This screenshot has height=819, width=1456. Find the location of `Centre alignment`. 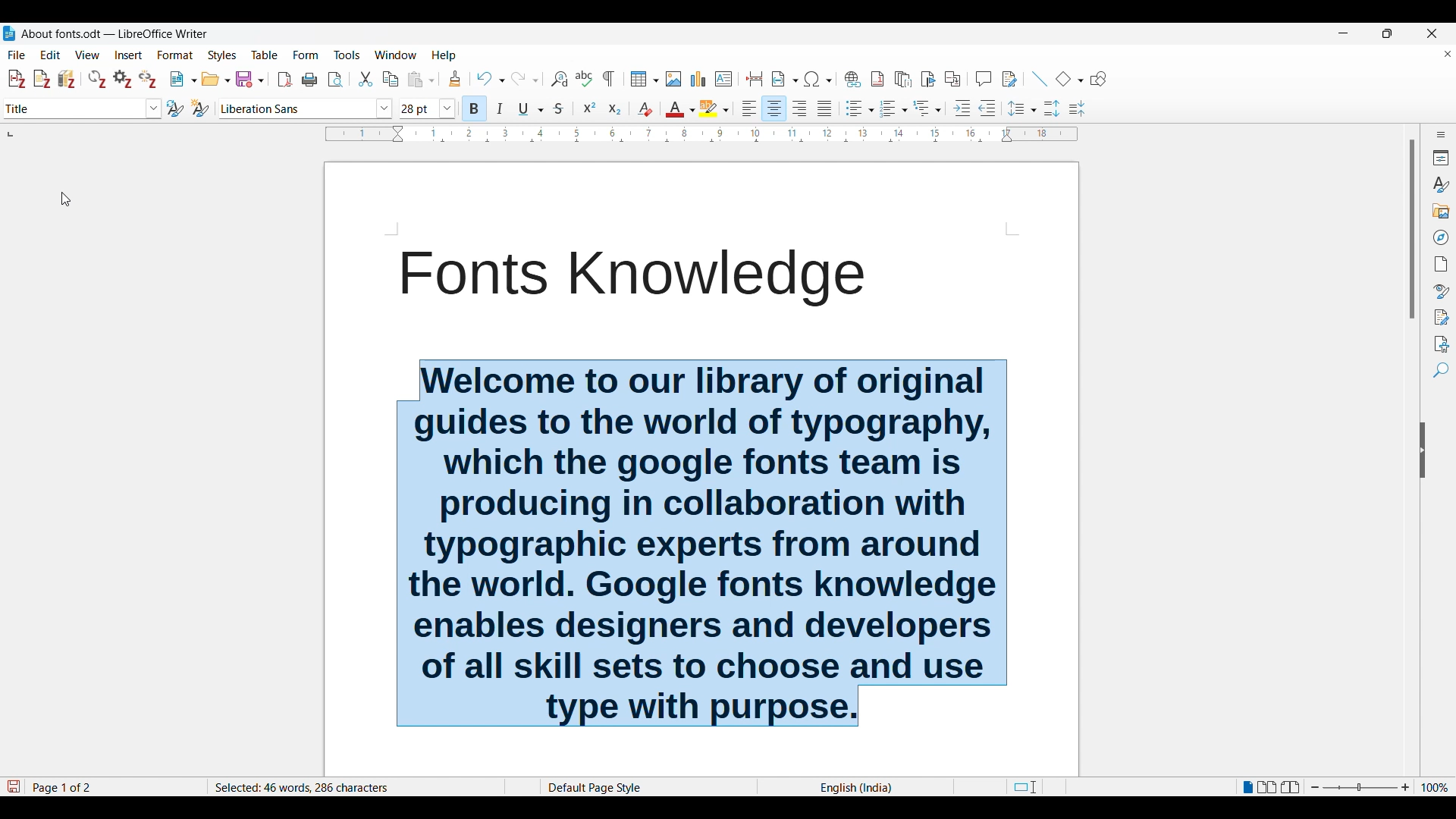

Centre alignment is located at coordinates (774, 108).